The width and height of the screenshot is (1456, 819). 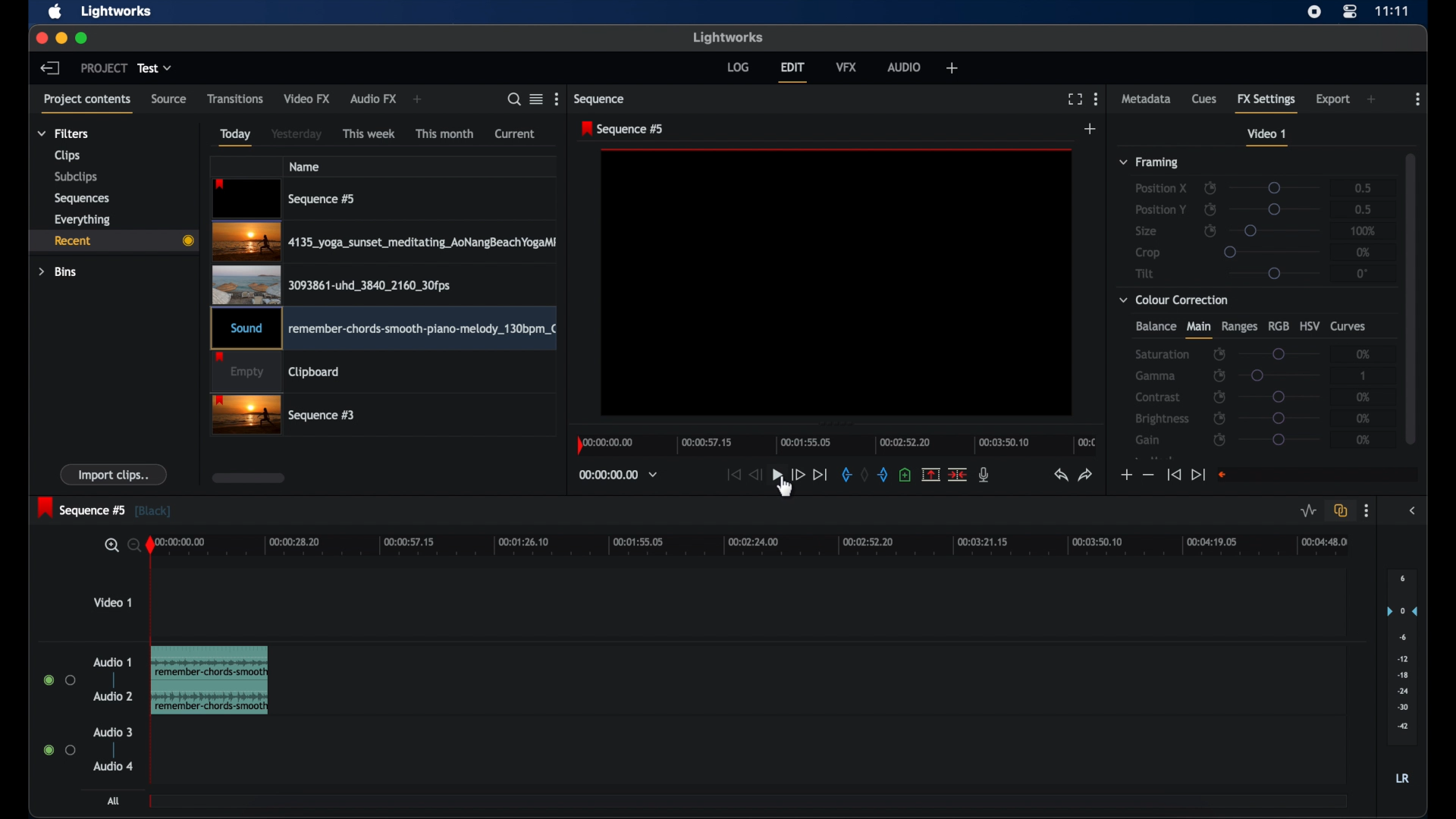 What do you see at coordinates (1219, 375) in the screenshot?
I see `enable/disable keyframes` at bounding box center [1219, 375].